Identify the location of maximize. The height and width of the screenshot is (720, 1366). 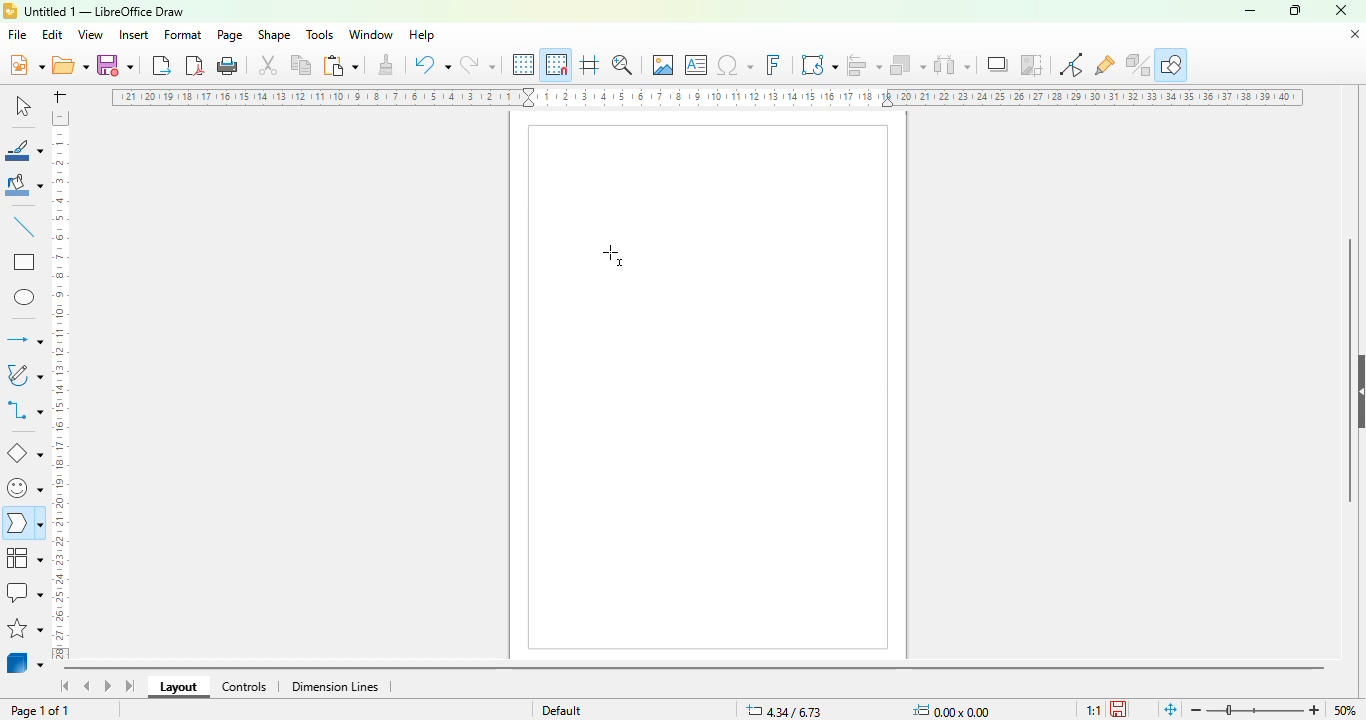
(1295, 10).